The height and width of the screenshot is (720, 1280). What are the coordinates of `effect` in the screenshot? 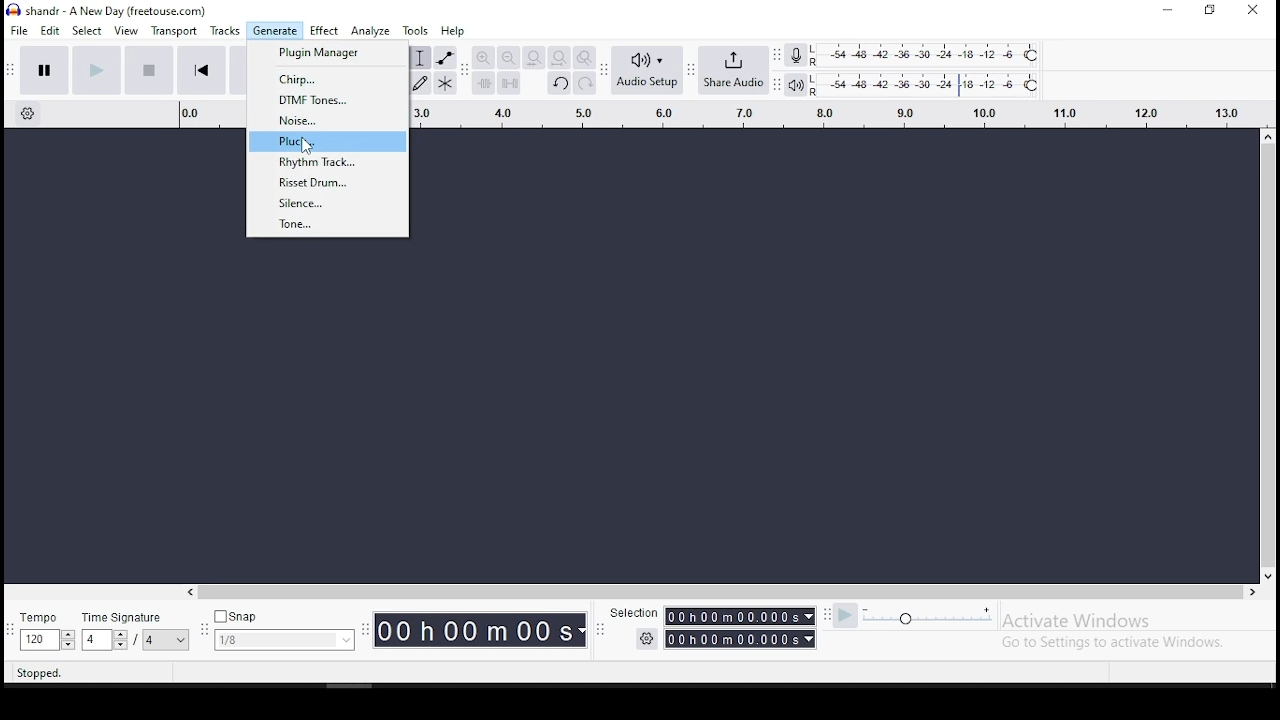 It's located at (325, 30).